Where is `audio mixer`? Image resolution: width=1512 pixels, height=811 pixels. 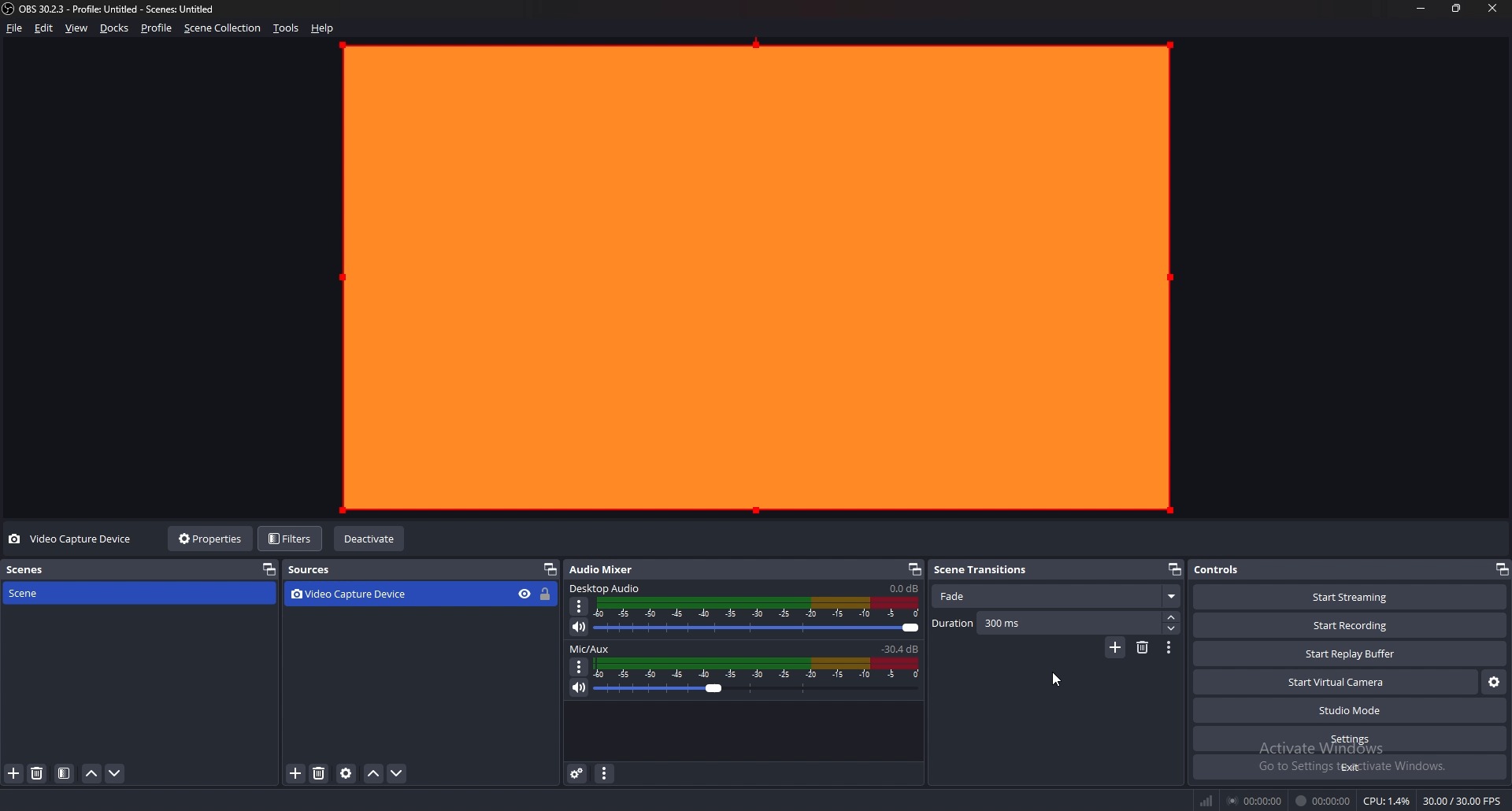
audio mixer is located at coordinates (606, 569).